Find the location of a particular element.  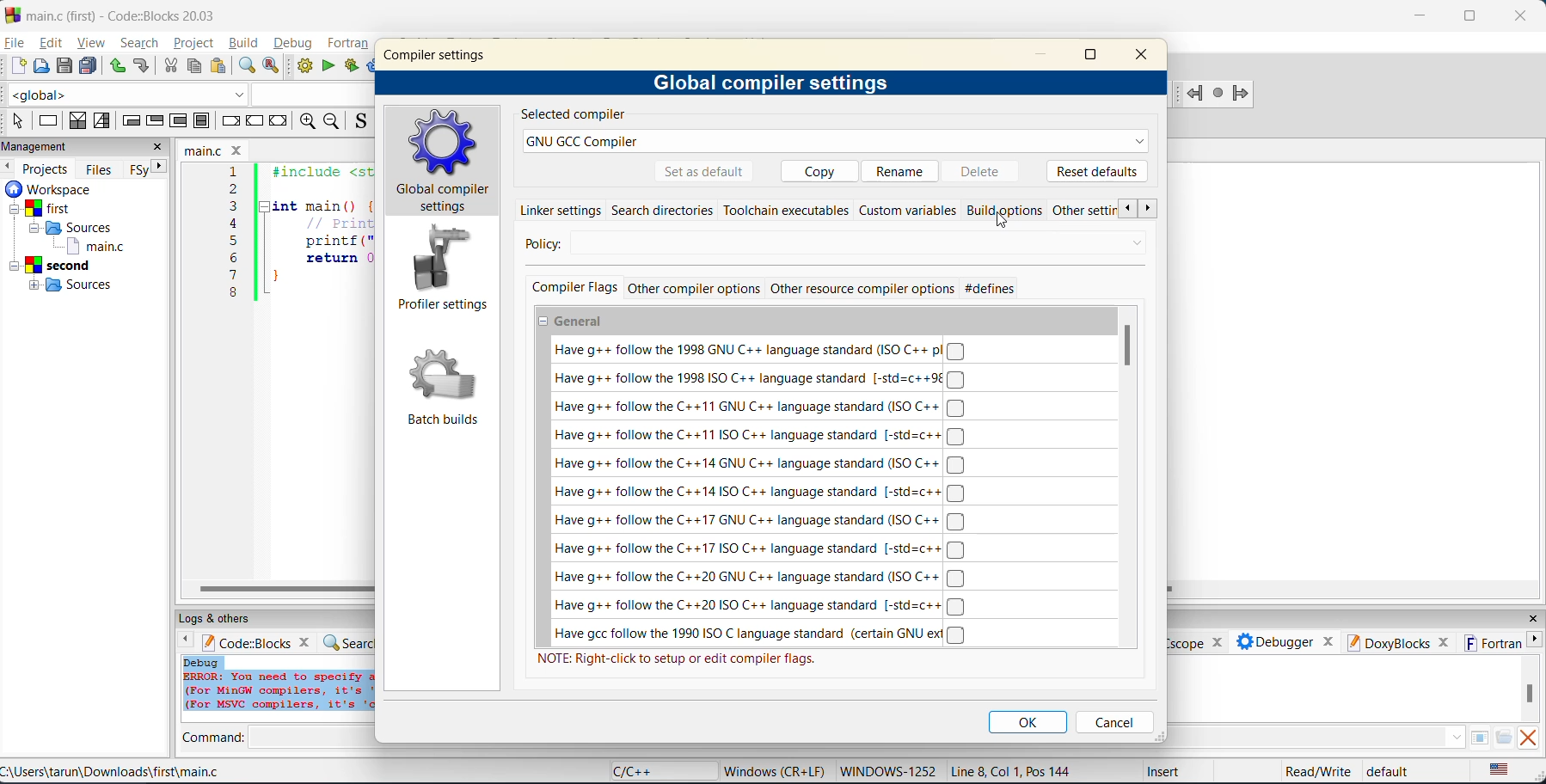

NOTE: Right-click to setup or edit compiler flags. is located at coordinates (678, 659).